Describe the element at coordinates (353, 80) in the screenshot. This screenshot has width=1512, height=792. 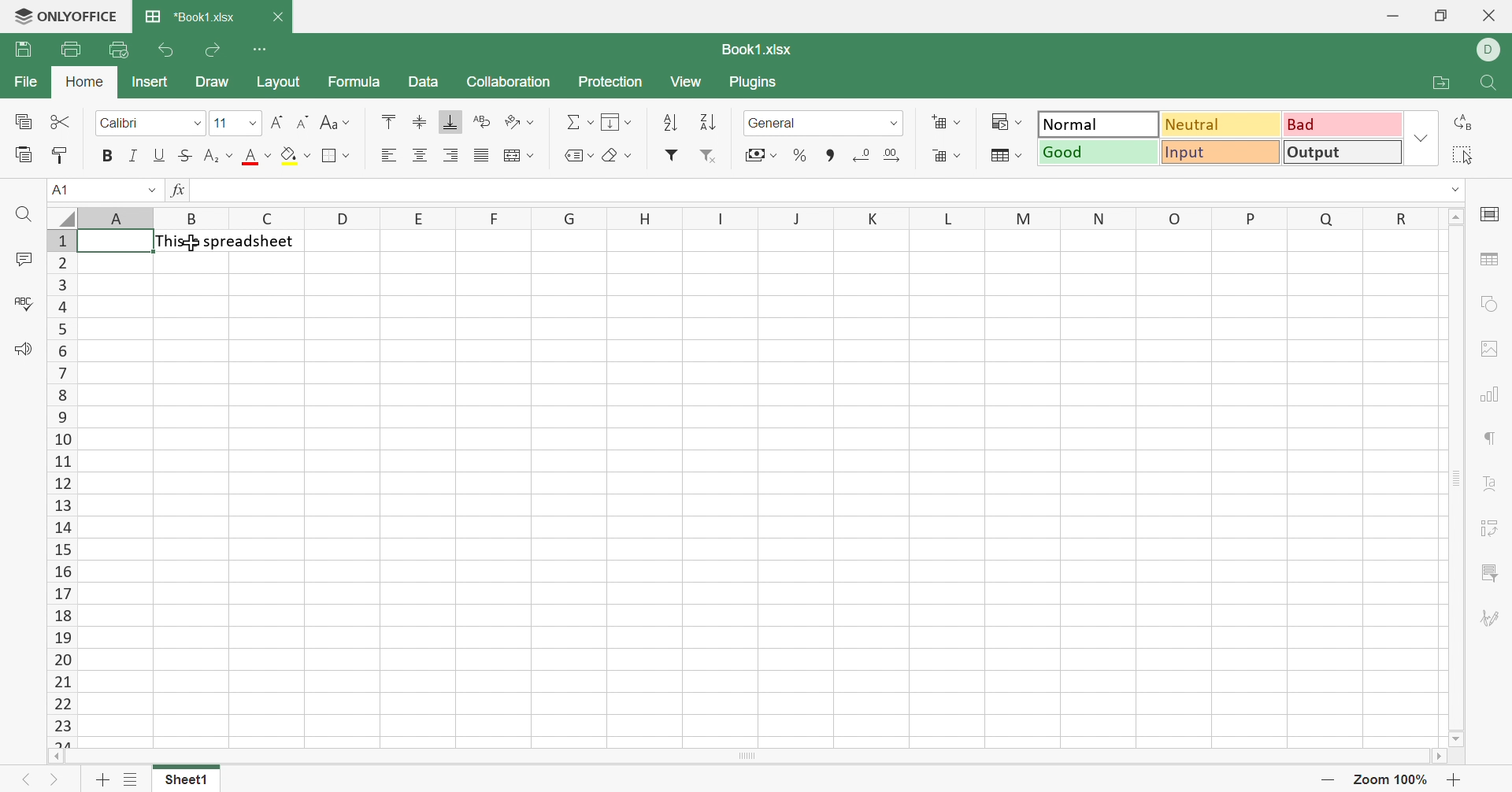
I see `Formula` at that location.